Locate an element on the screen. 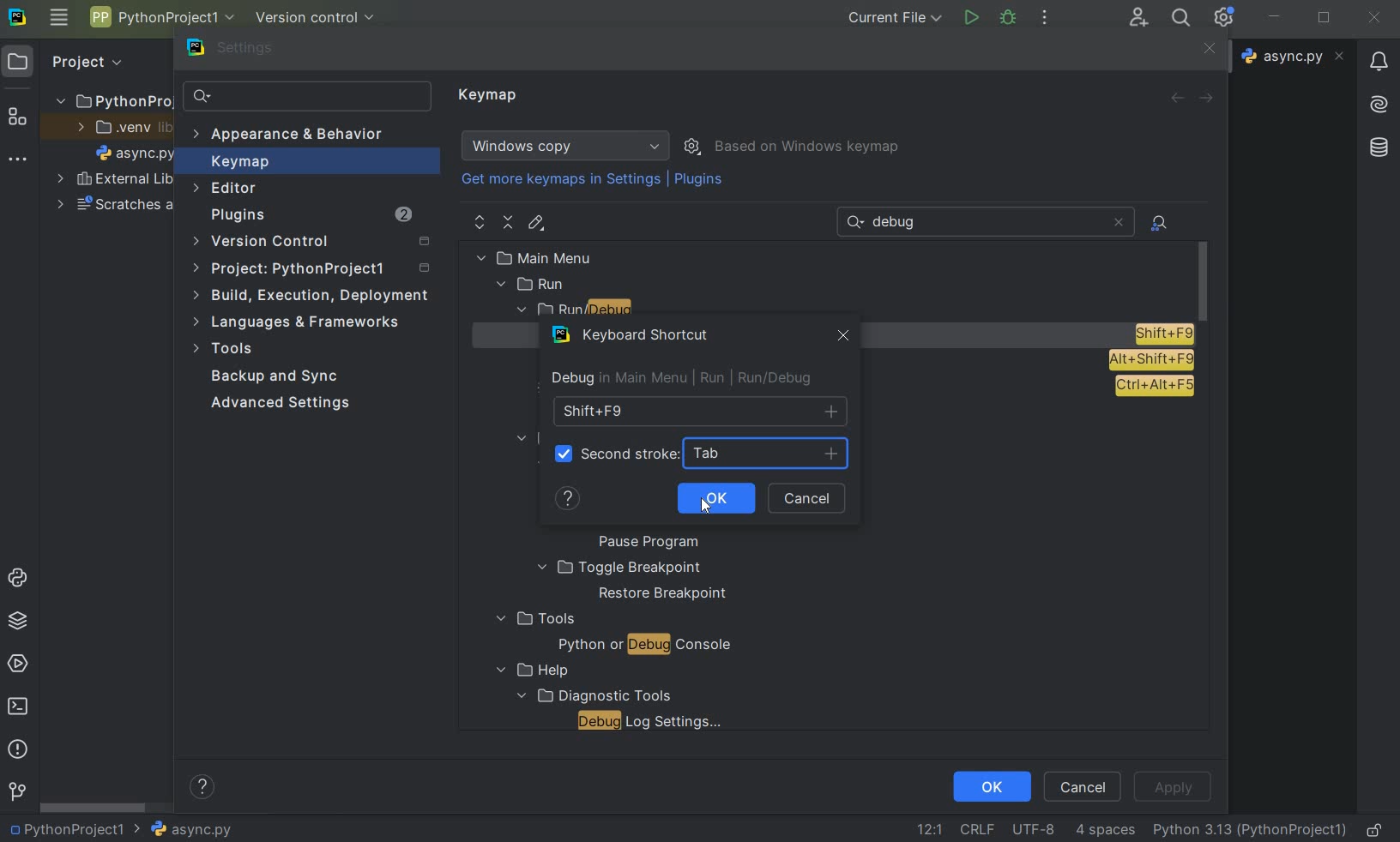 This screenshot has height=842, width=1400. editor is located at coordinates (226, 188).